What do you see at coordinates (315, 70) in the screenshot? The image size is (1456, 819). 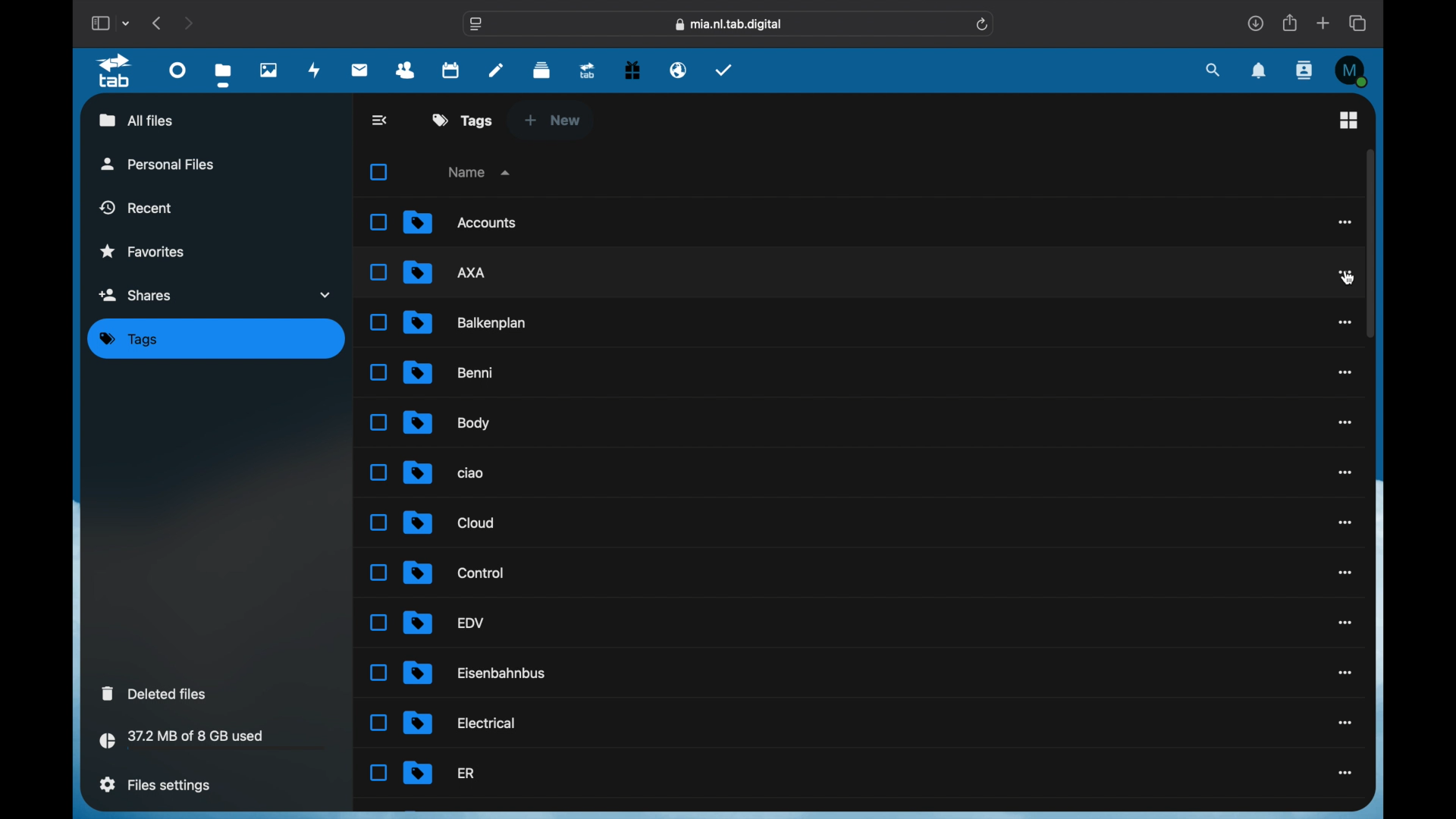 I see `activity` at bounding box center [315, 70].